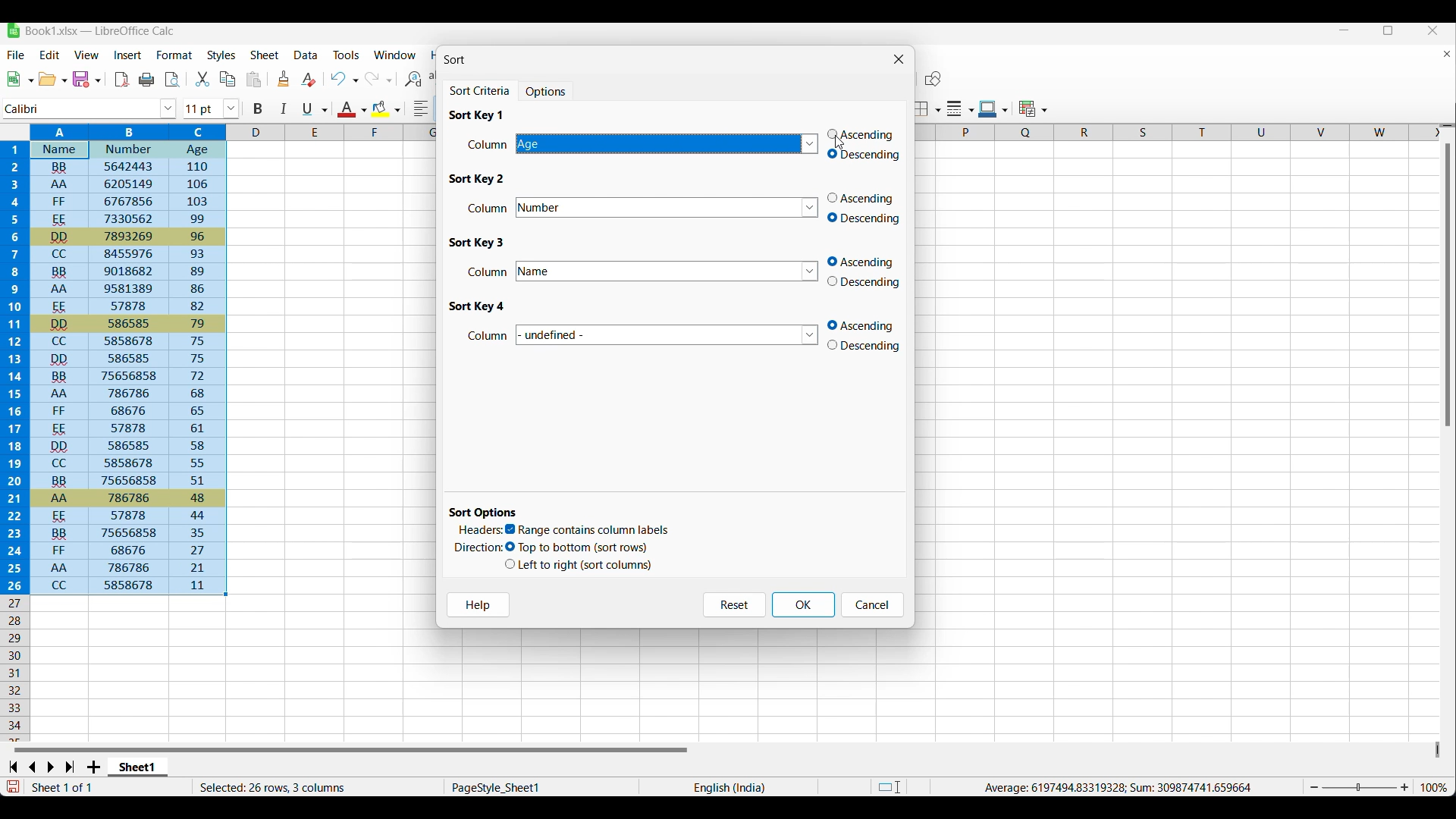 This screenshot has width=1456, height=819. I want to click on Go to next sheet, so click(50, 767).